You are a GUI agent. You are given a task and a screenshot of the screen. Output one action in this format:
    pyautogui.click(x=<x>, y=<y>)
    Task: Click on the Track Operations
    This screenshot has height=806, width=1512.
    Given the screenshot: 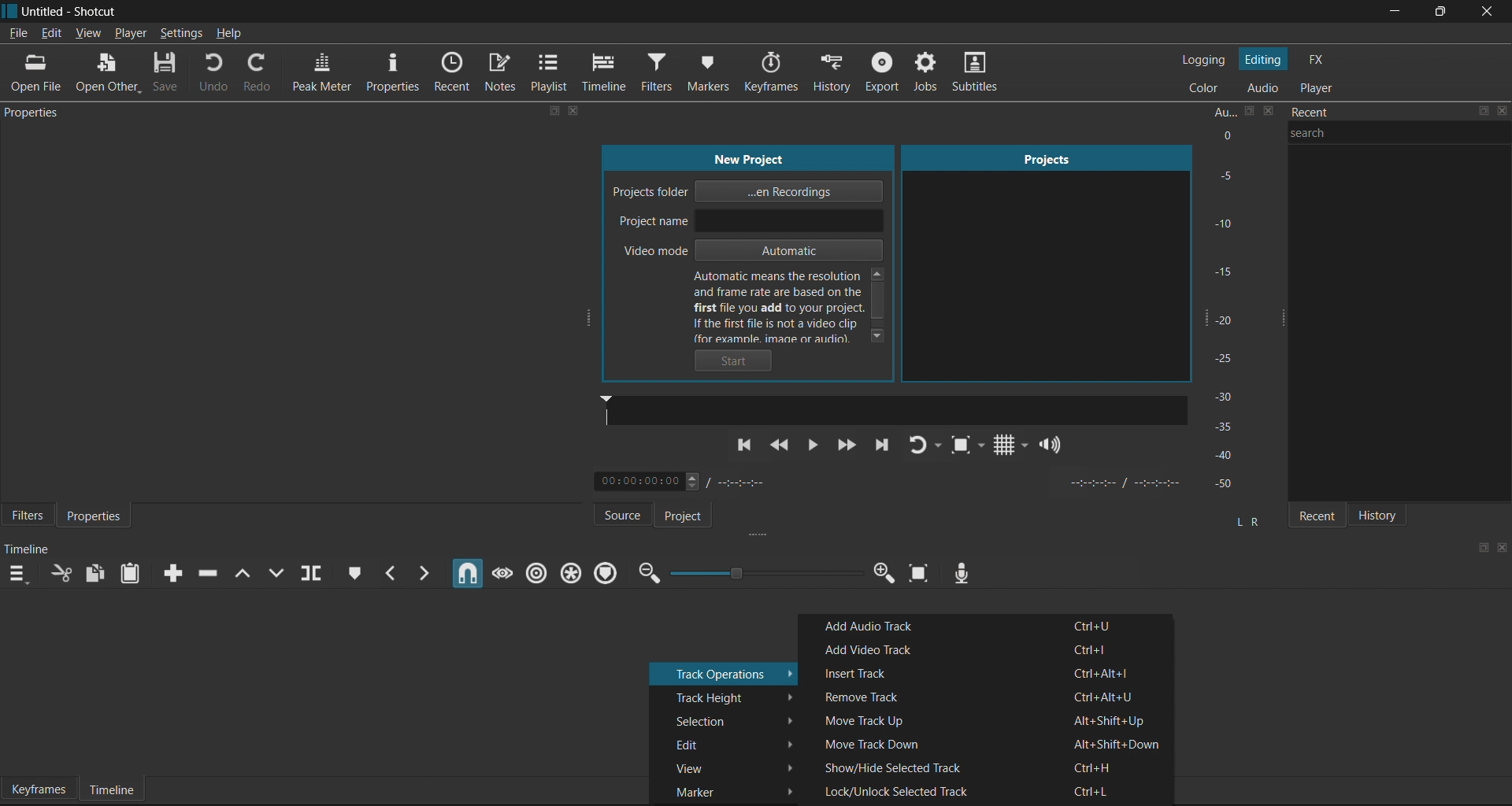 What is the action you would take?
    pyautogui.click(x=723, y=671)
    